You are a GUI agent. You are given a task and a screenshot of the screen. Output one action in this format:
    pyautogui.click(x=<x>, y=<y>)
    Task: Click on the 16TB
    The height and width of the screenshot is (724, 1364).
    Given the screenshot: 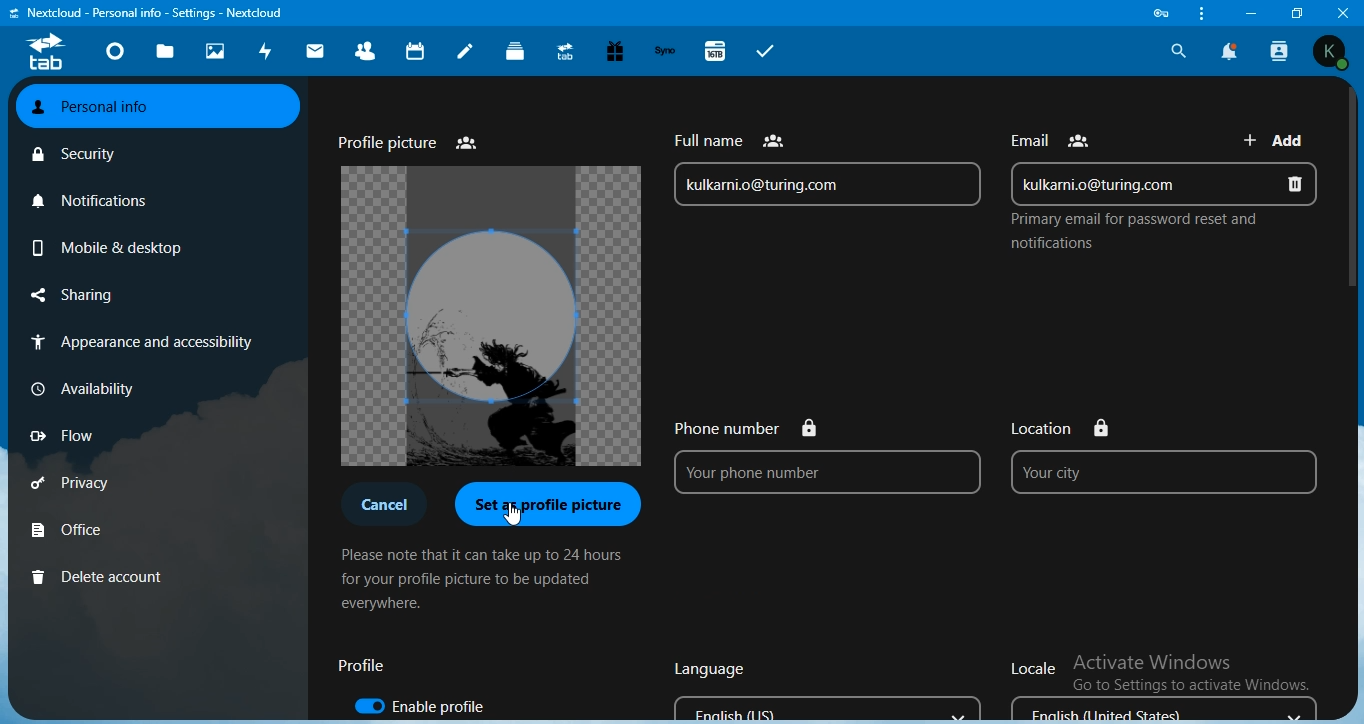 What is the action you would take?
    pyautogui.click(x=717, y=50)
    